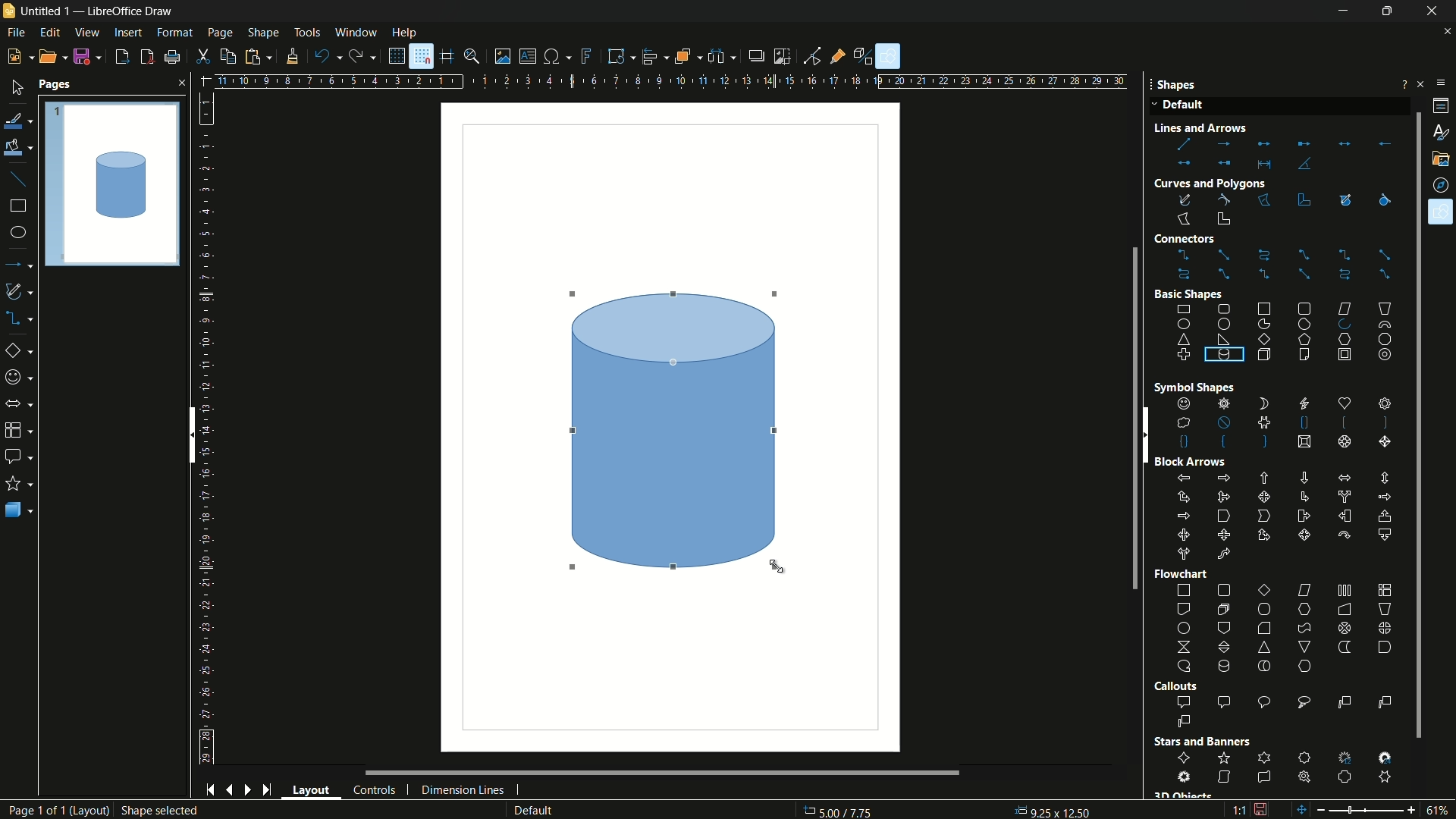  Describe the element at coordinates (526, 56) in the screenshot. I see `insert textbox` at that location.